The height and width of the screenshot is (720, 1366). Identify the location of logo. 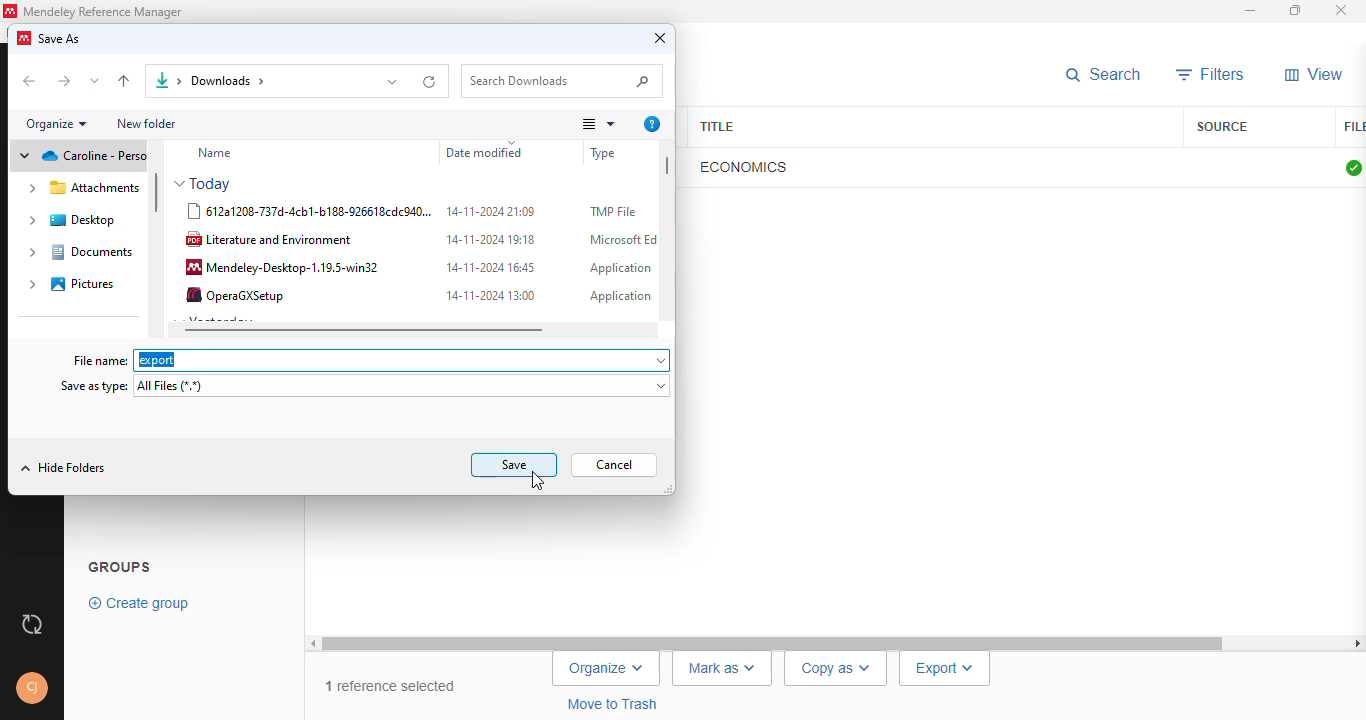
(25, 37).